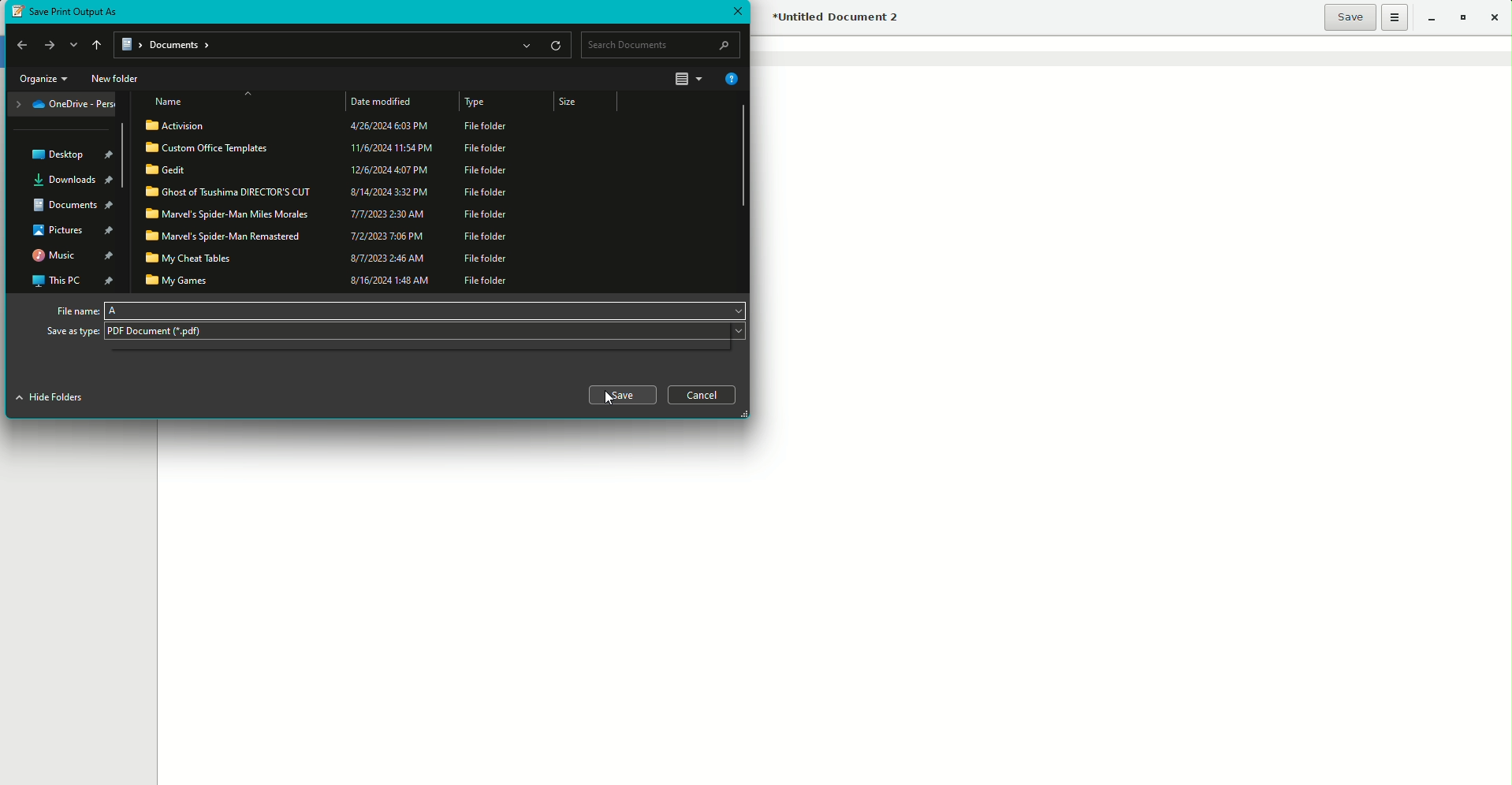 Image resolution: width=1512 pixels, height=785 pixels. What do you see at coordinates (395, 333) in the screenshot?
I see `Save as type - PDF` at bounding box center [395, 333].